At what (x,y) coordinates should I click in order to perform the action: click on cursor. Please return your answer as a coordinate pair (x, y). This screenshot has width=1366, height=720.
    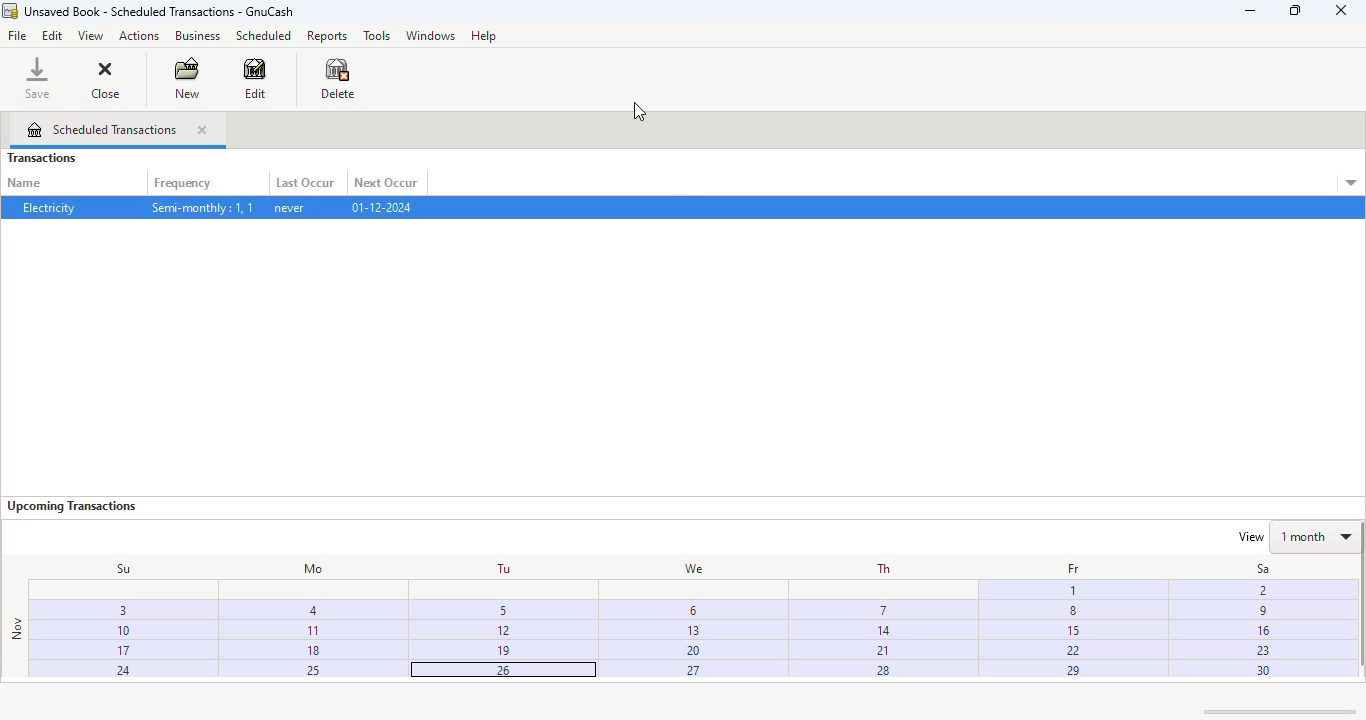
    Looking at the image, I should click on (639, 111).